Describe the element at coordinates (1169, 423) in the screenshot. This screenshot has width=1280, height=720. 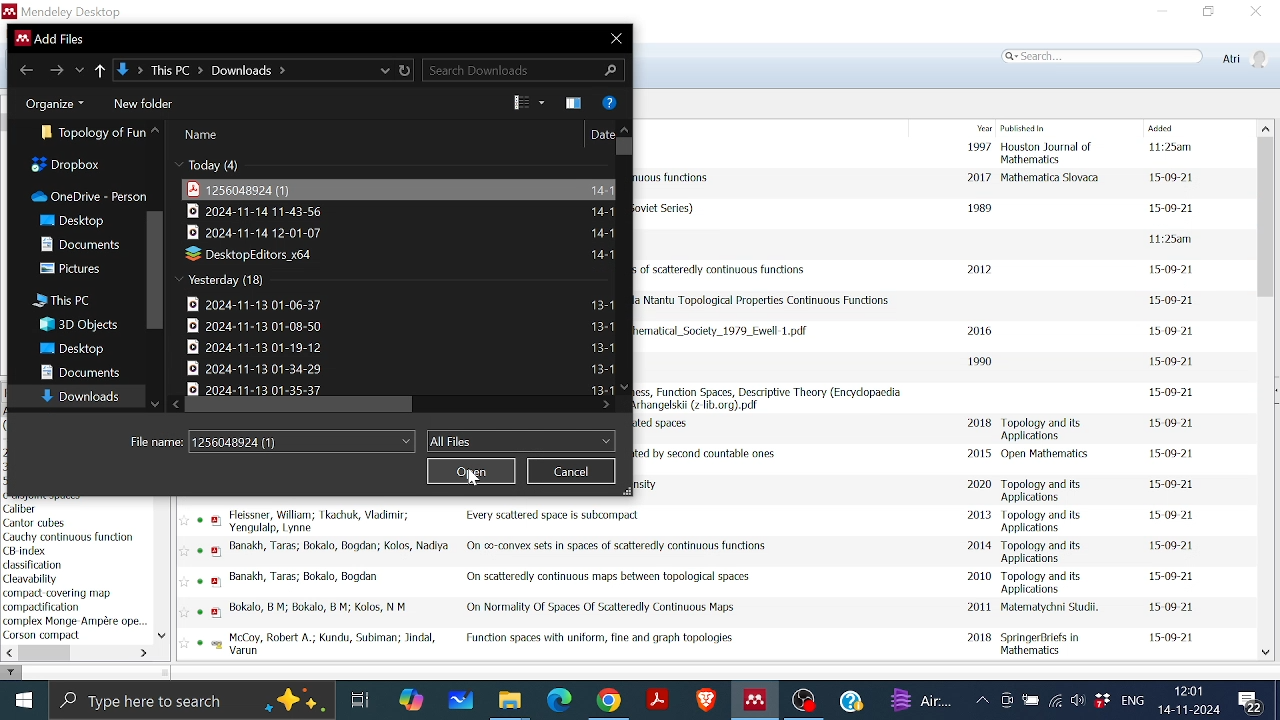
I see `date` at that location.